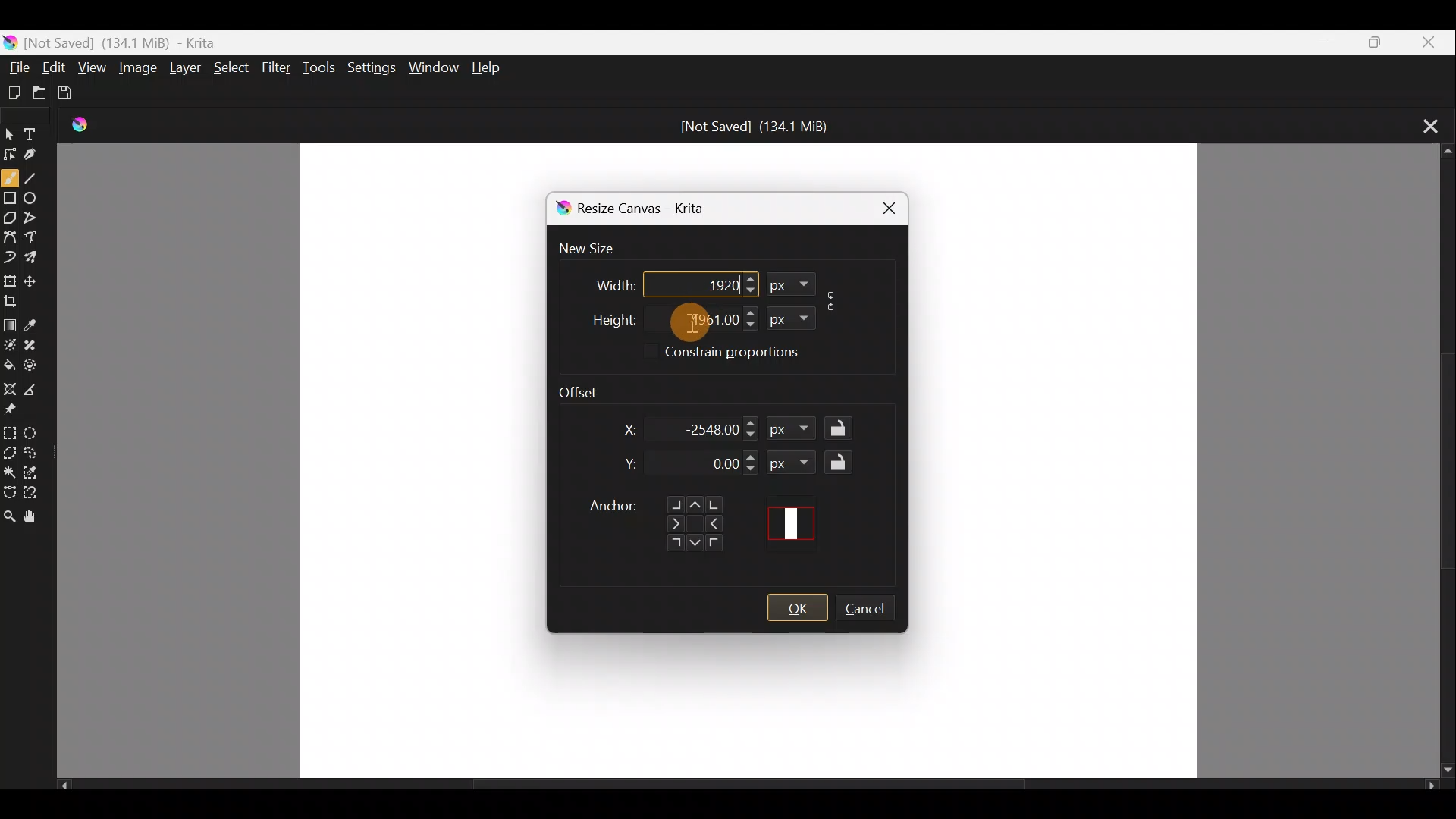  What do you see at coordinates (433, 65) in the screenshot?
I see `Window` at bounding box center [433, 65].